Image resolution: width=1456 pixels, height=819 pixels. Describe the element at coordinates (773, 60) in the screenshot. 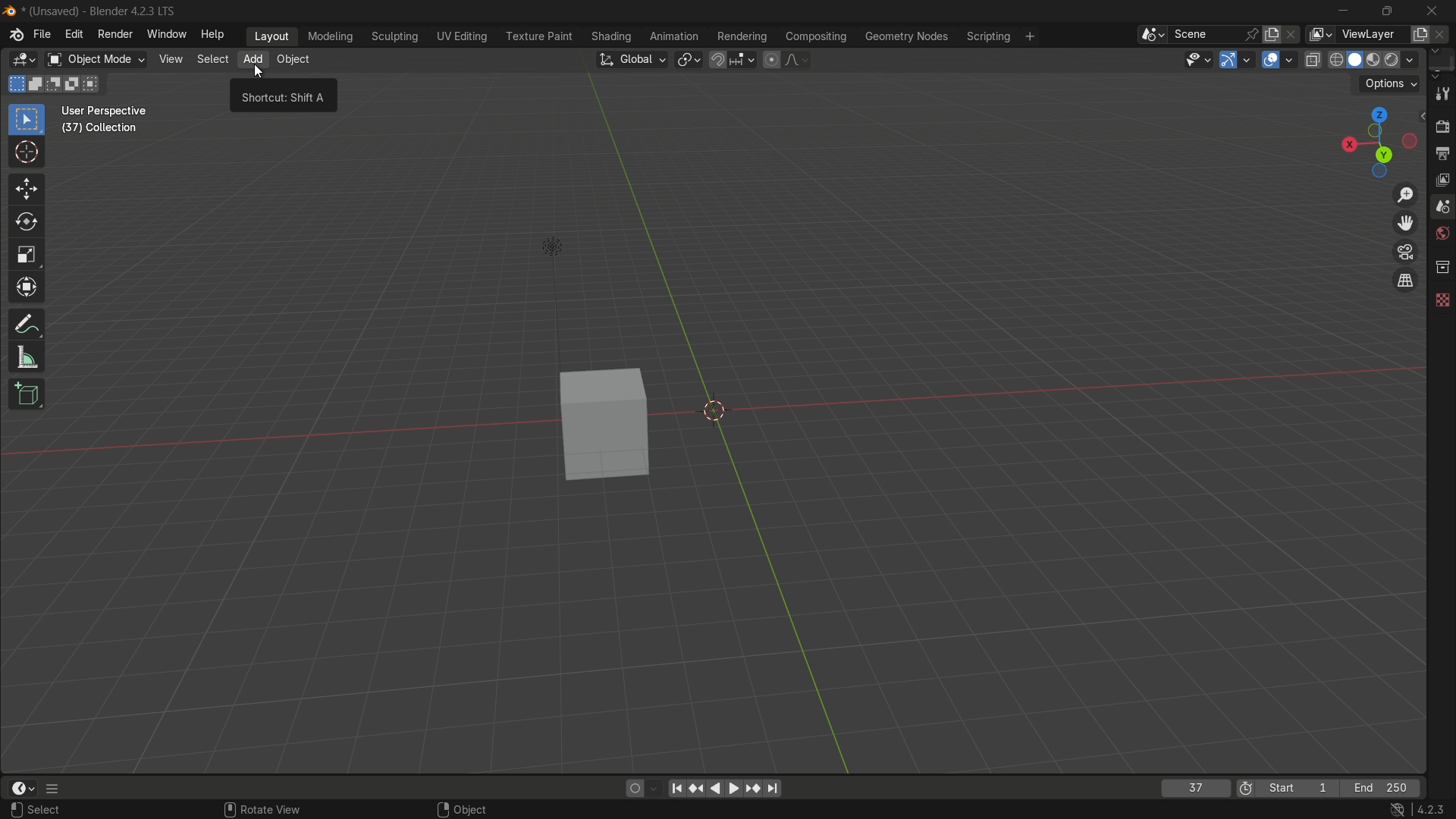

I see `proportional editing object` at that location.